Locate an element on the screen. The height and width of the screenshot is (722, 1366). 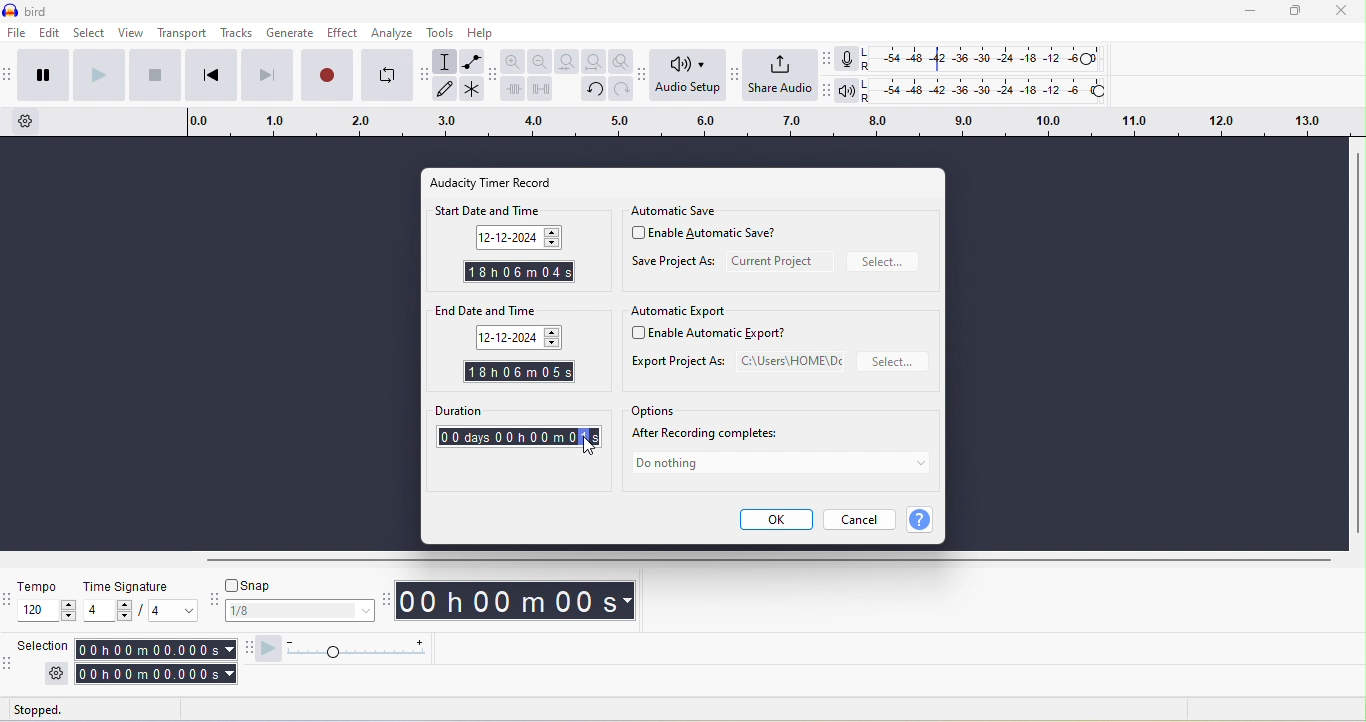
playback meter is located at coordinates (847, 94).